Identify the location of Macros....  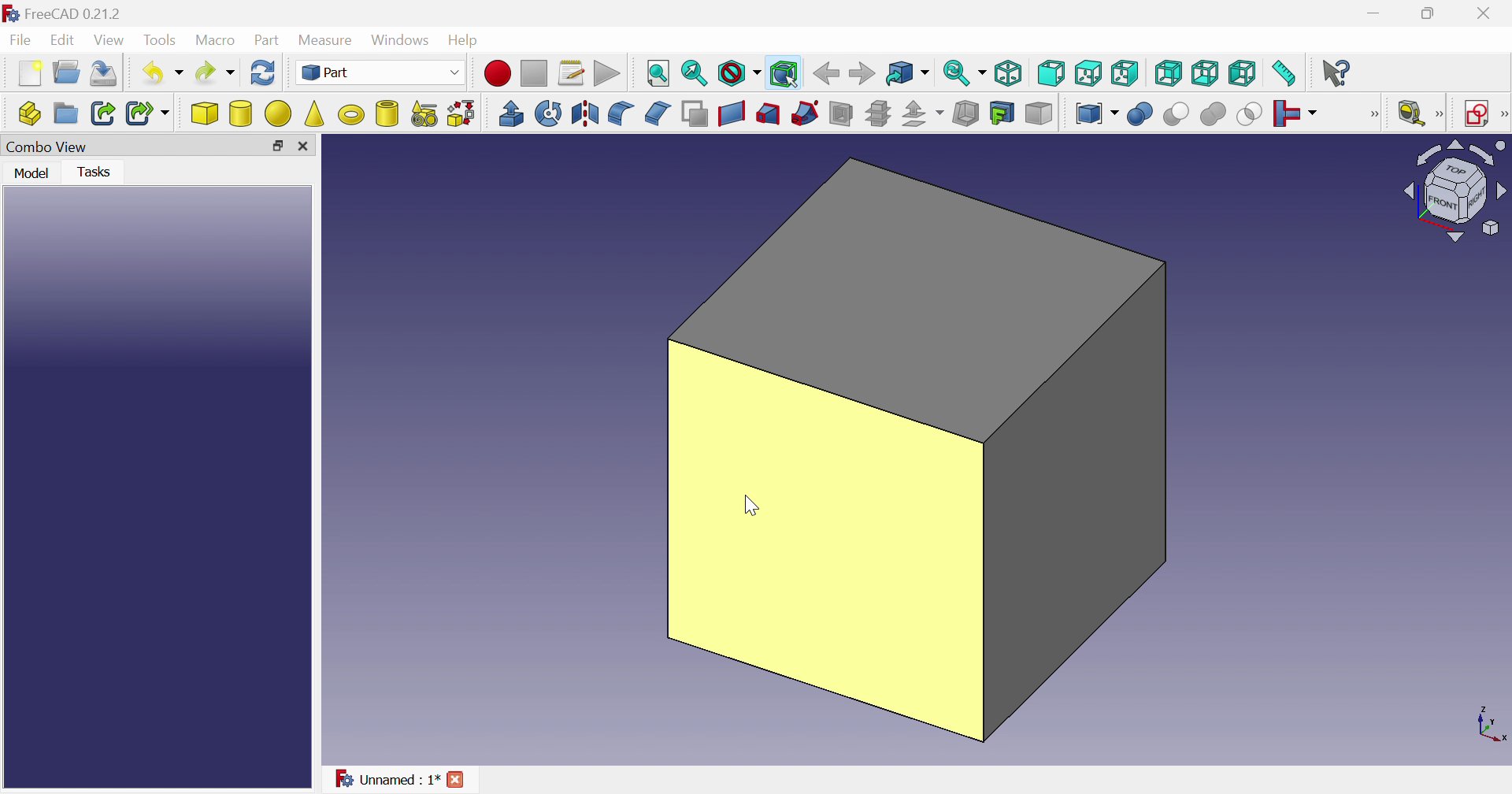
(571, 75).